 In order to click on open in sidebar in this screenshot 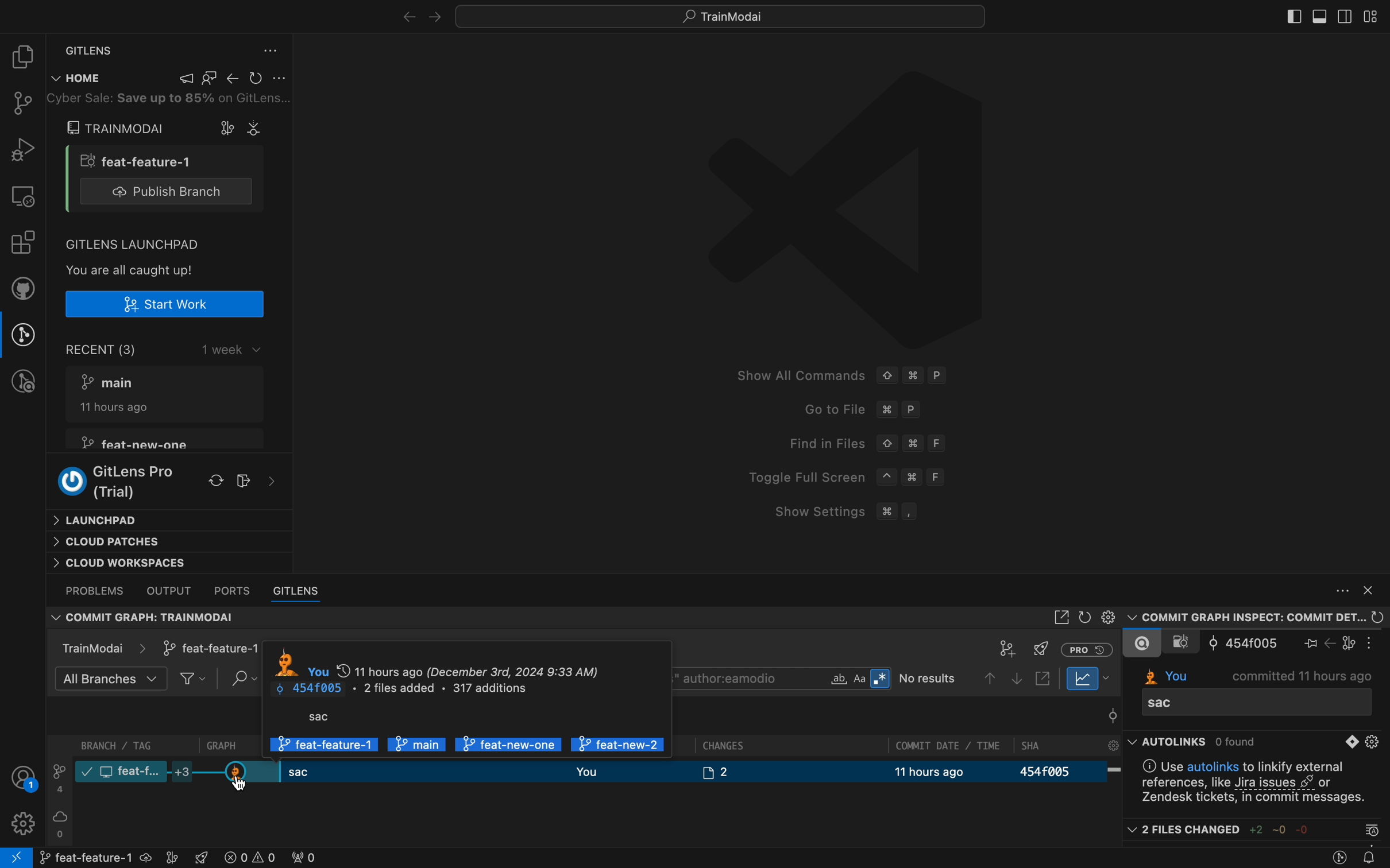, I will do `click(1062, 618)`.